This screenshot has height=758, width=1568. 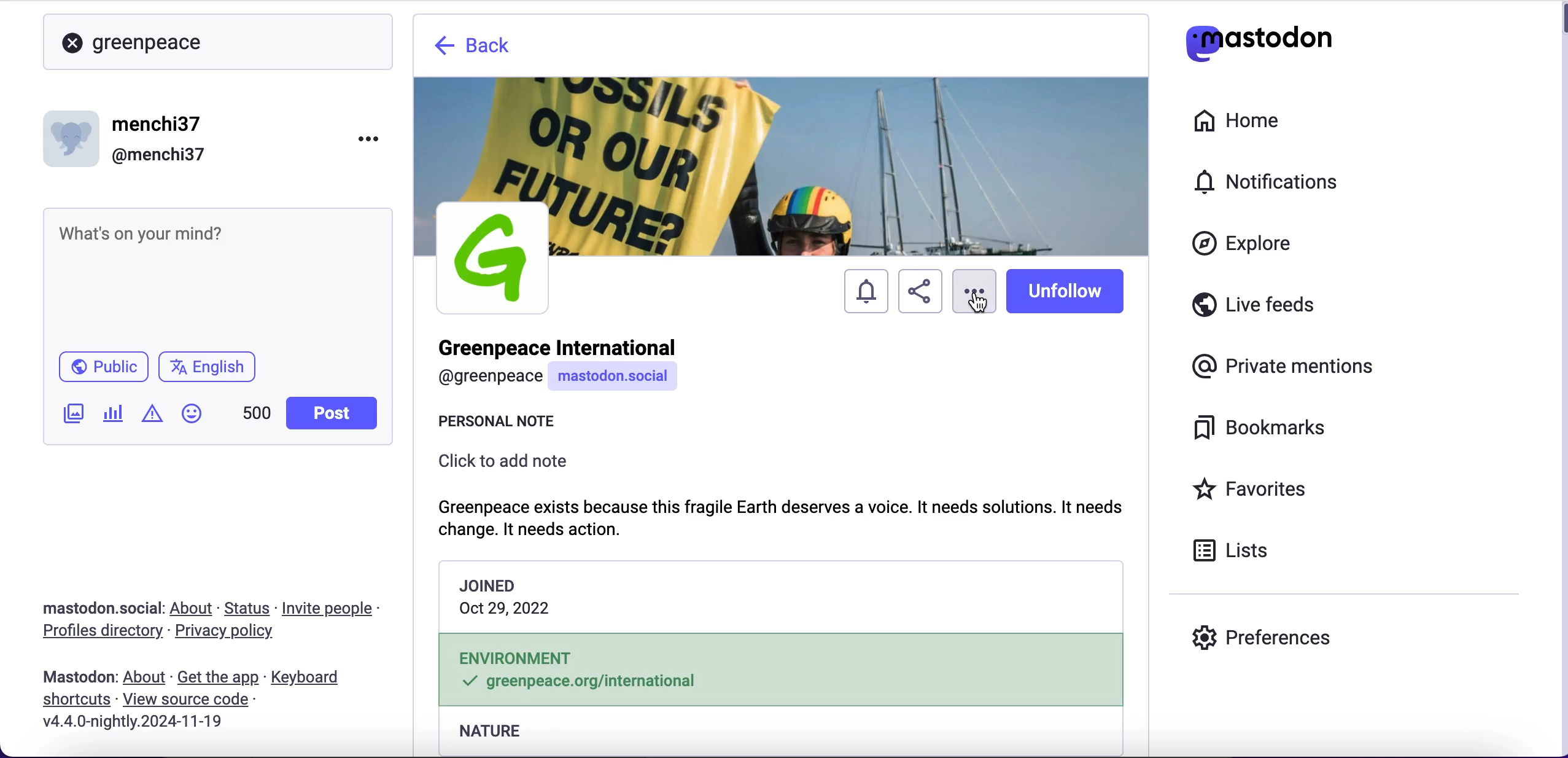 I want to click on 2024-11-19, so click(x=142, y=721).